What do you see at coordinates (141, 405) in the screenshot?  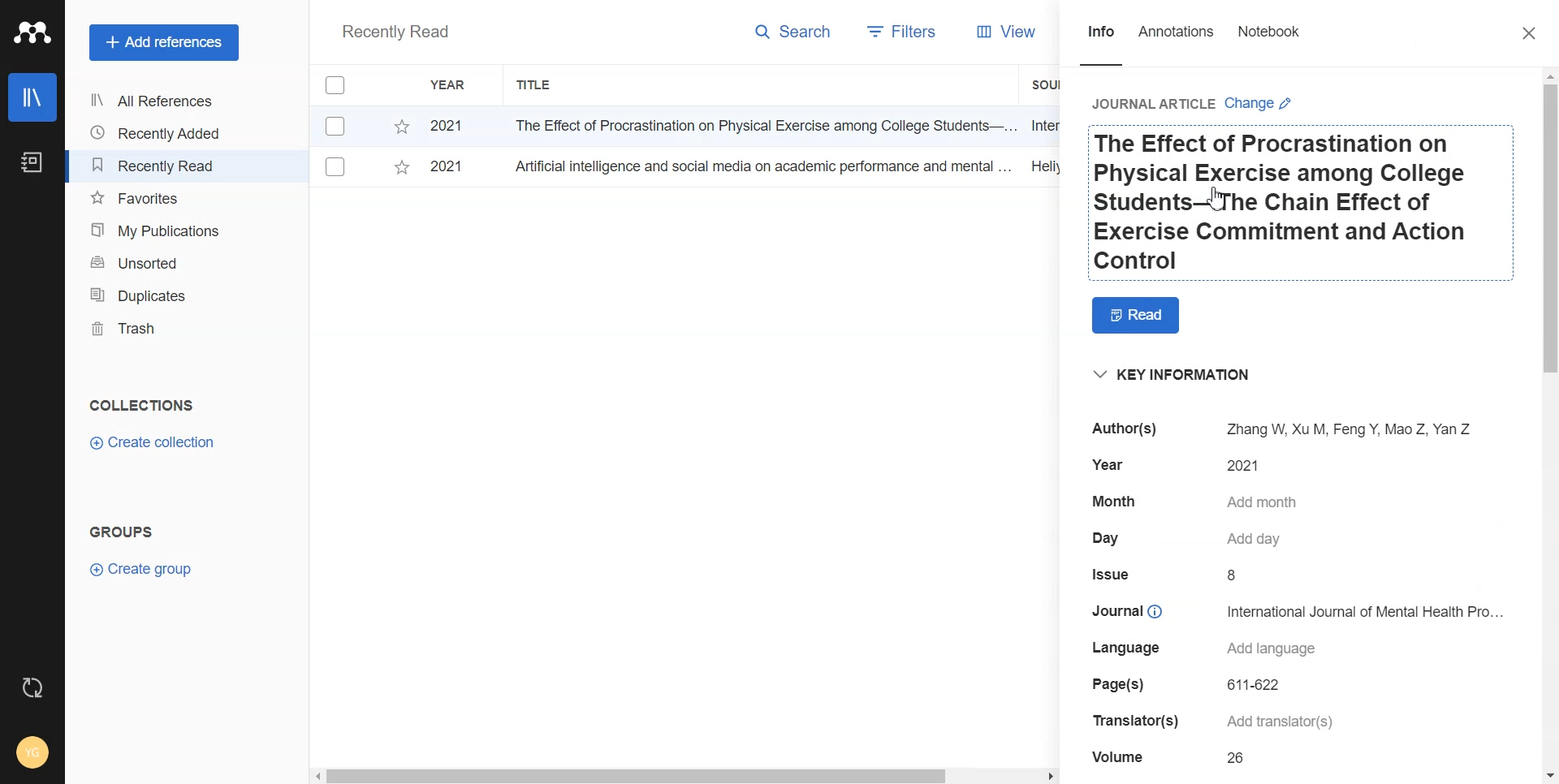 I see `Collections` at bounding box center [141, 405].